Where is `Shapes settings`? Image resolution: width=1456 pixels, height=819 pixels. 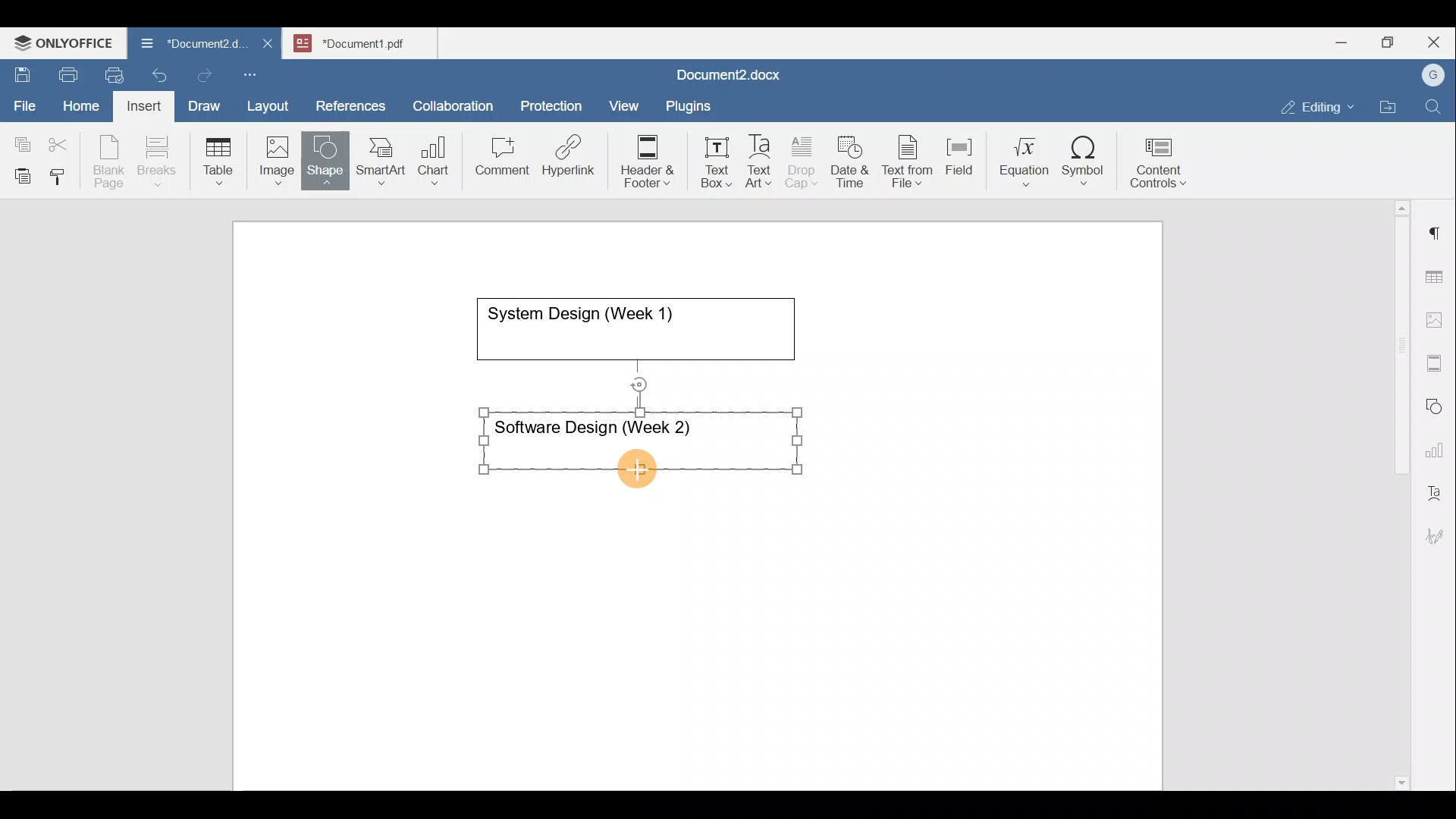
Shapes settings is located at coordinates (1437, 404).